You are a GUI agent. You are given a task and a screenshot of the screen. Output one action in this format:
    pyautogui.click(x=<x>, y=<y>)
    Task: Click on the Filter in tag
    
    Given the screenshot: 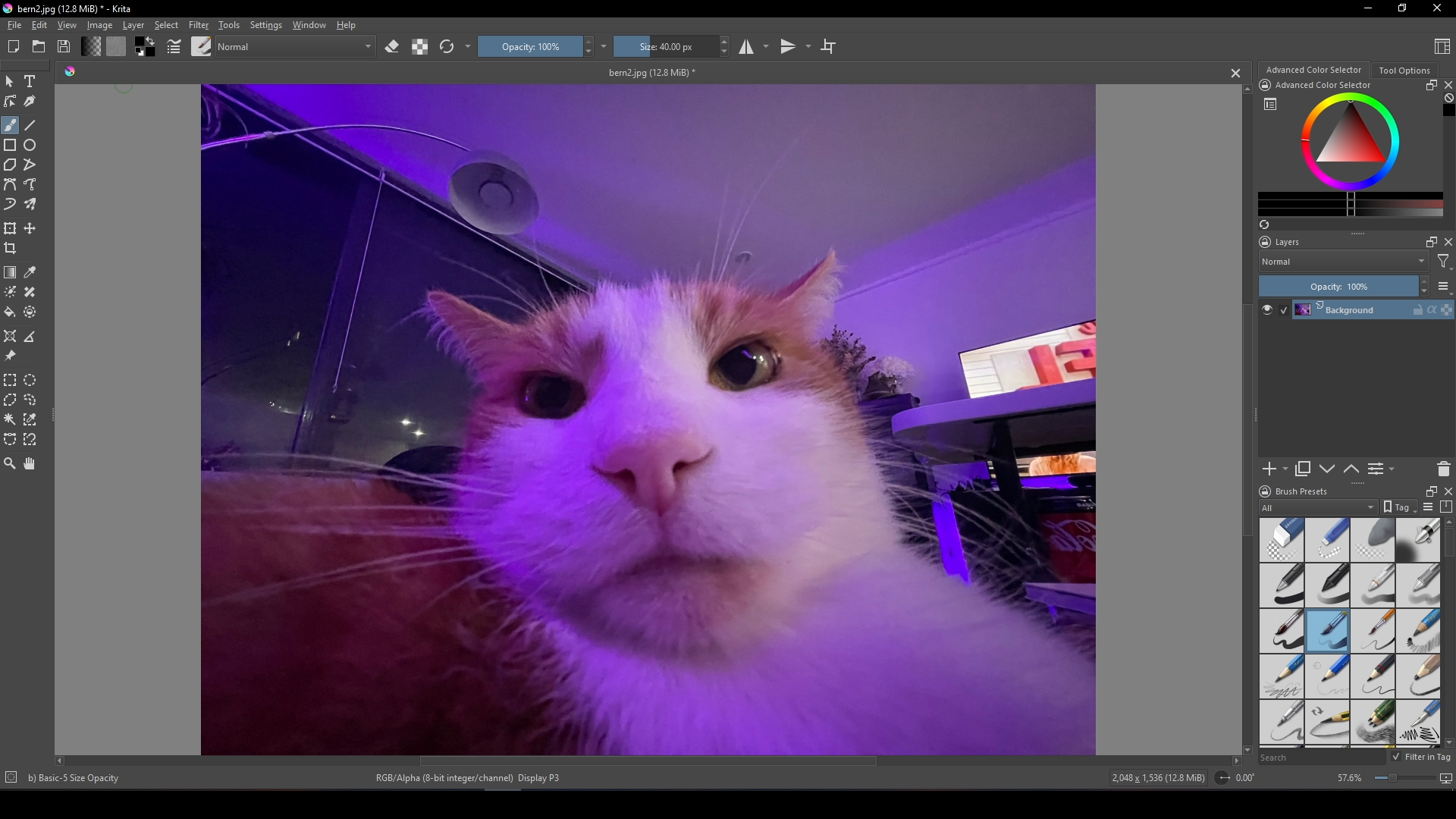 What is the action you would take?
    pyautogui.click(x=1422, y=758)
    